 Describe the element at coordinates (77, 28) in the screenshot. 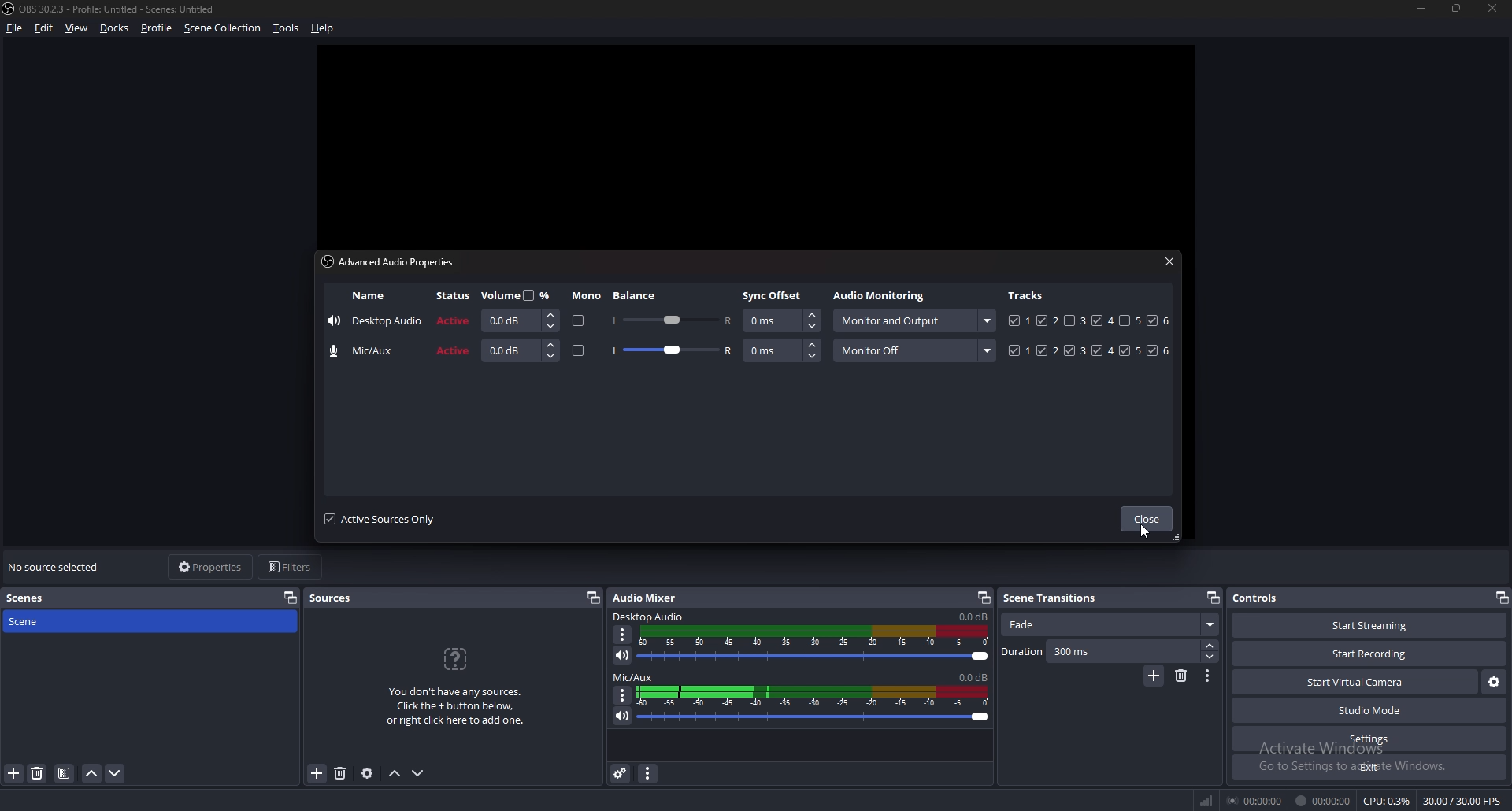

I see `view` at that location.